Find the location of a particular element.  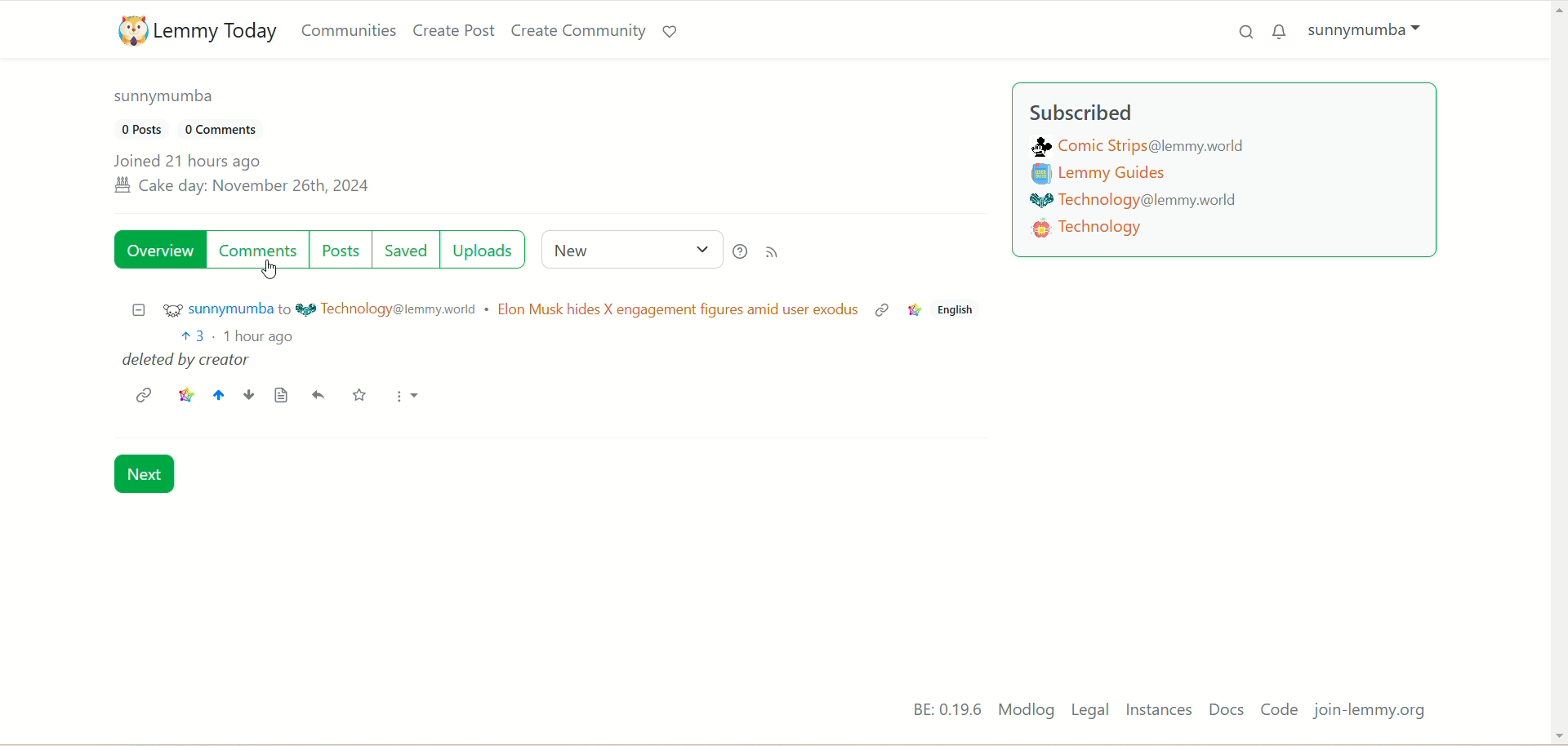

new is located at coordinates (626, 248).